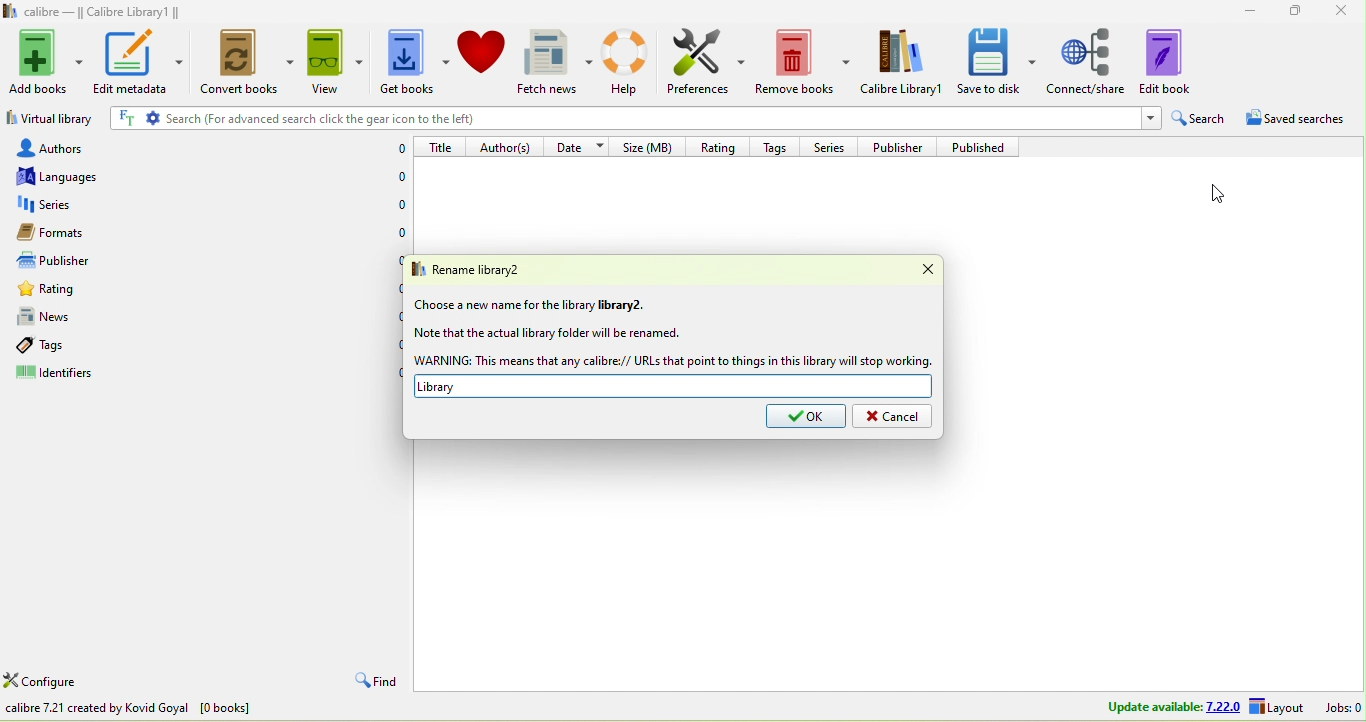 Image resolution: width=1366 pixels, height=722 pixels. Describe the element at coordinates (442, 146) in the screenshot. I see `title` at that location.